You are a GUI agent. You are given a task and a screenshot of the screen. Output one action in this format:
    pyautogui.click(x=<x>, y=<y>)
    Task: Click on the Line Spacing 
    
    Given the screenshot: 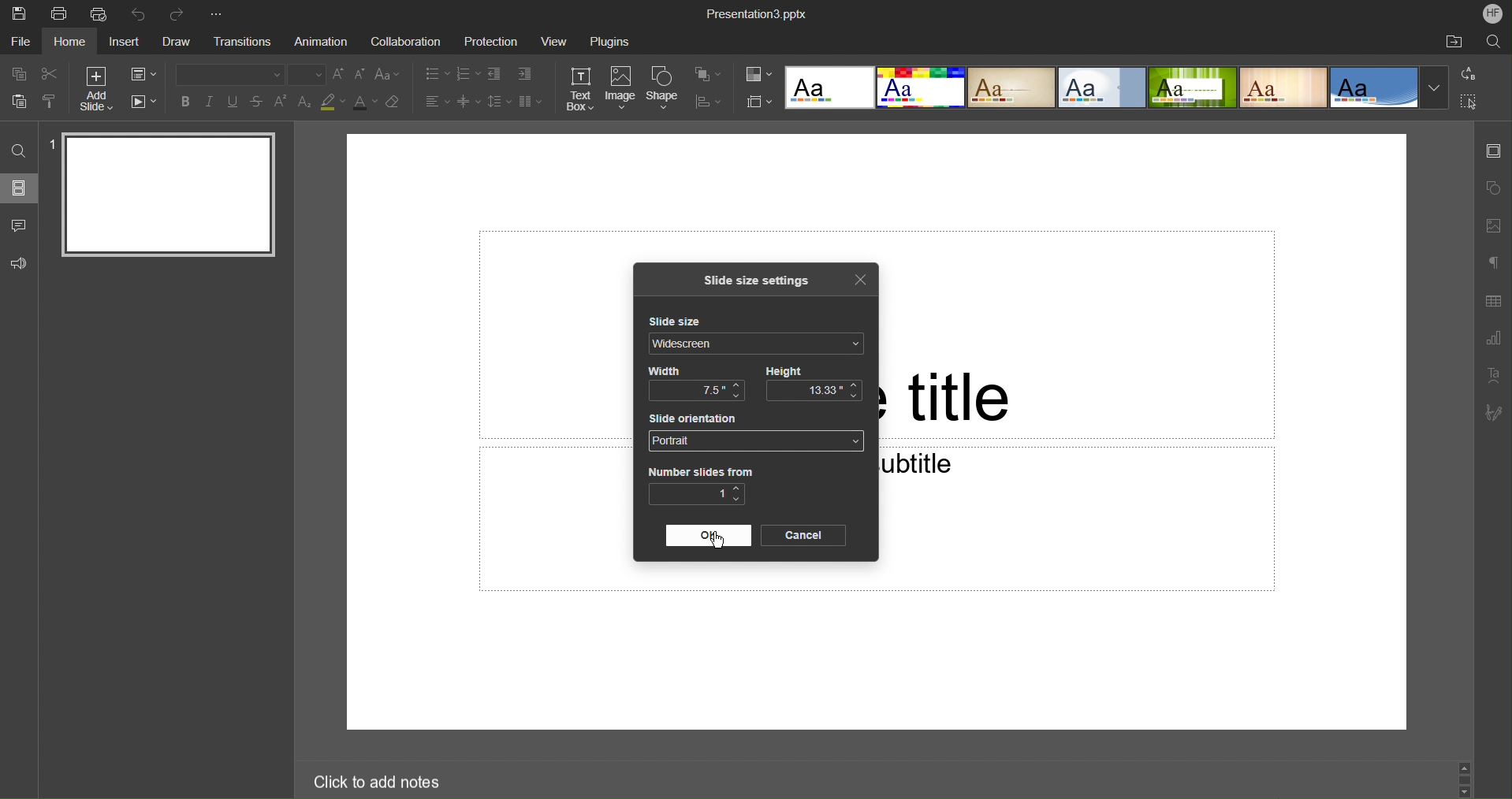 What is the action you would take?
    pyautogui.click(x=497, y=102)
    